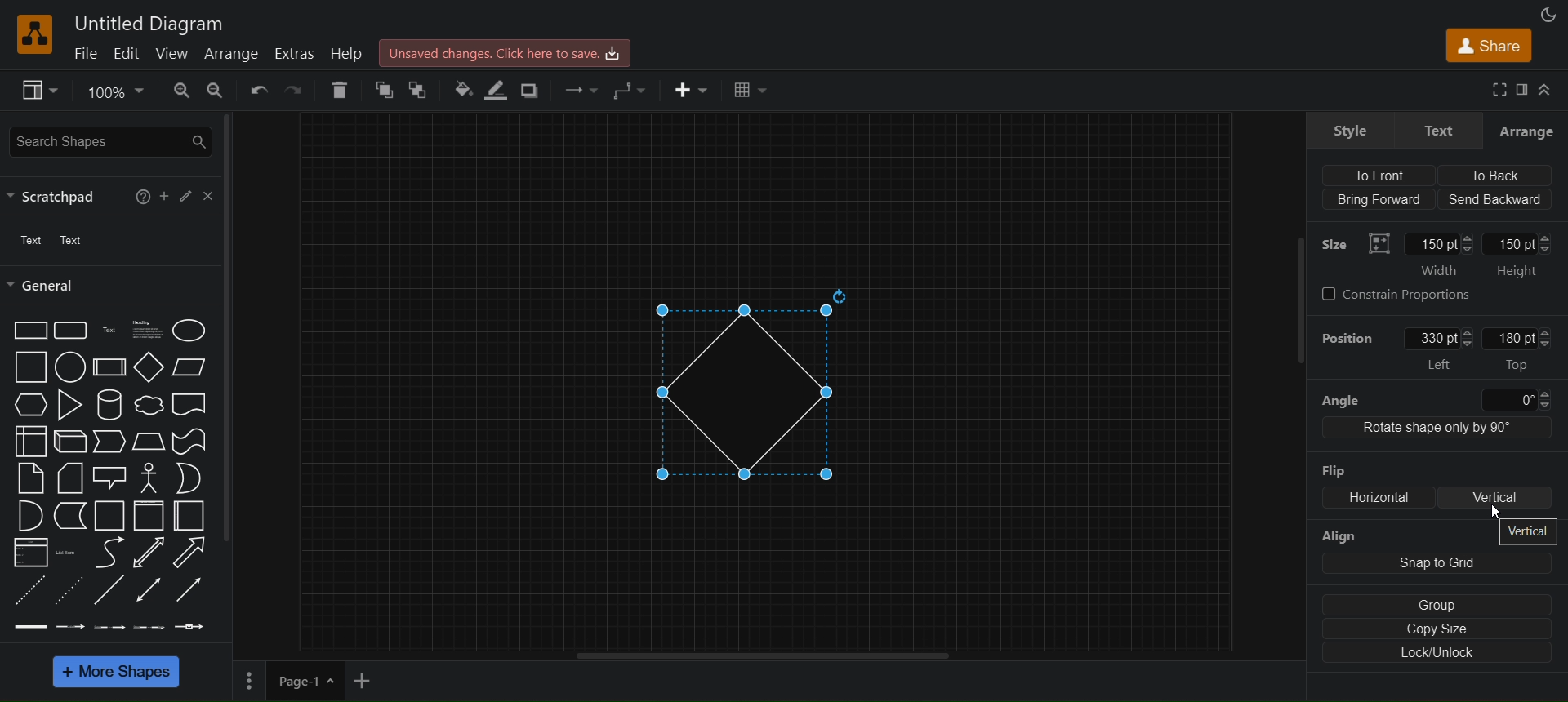 The width and height of the screenshot is (1568, 702). Describe the element at coordinates (1441, 128) in the screenshot. I see `text` at that location.